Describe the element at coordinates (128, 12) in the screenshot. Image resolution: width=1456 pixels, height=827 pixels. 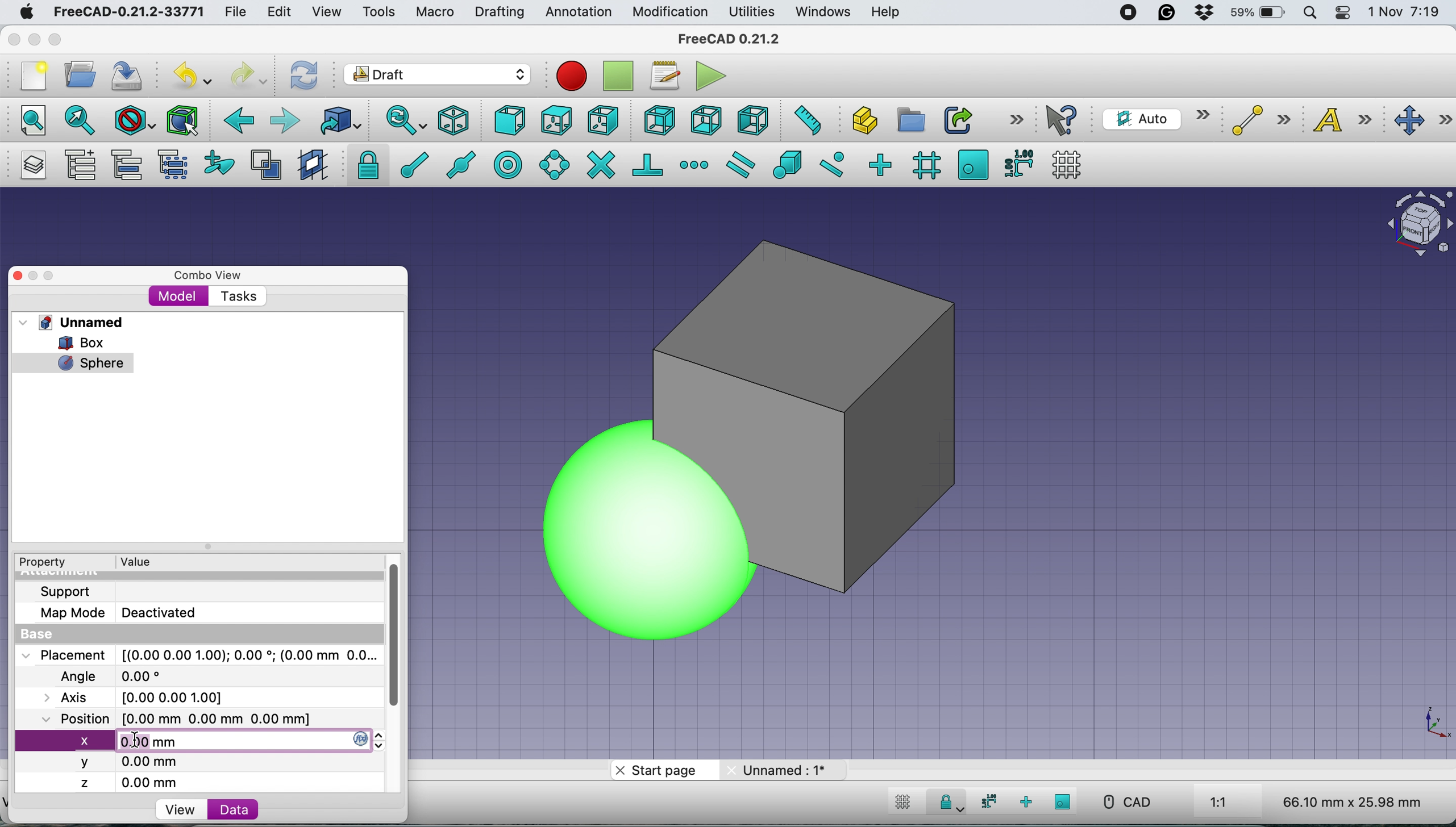
I see `freecad` at that location.